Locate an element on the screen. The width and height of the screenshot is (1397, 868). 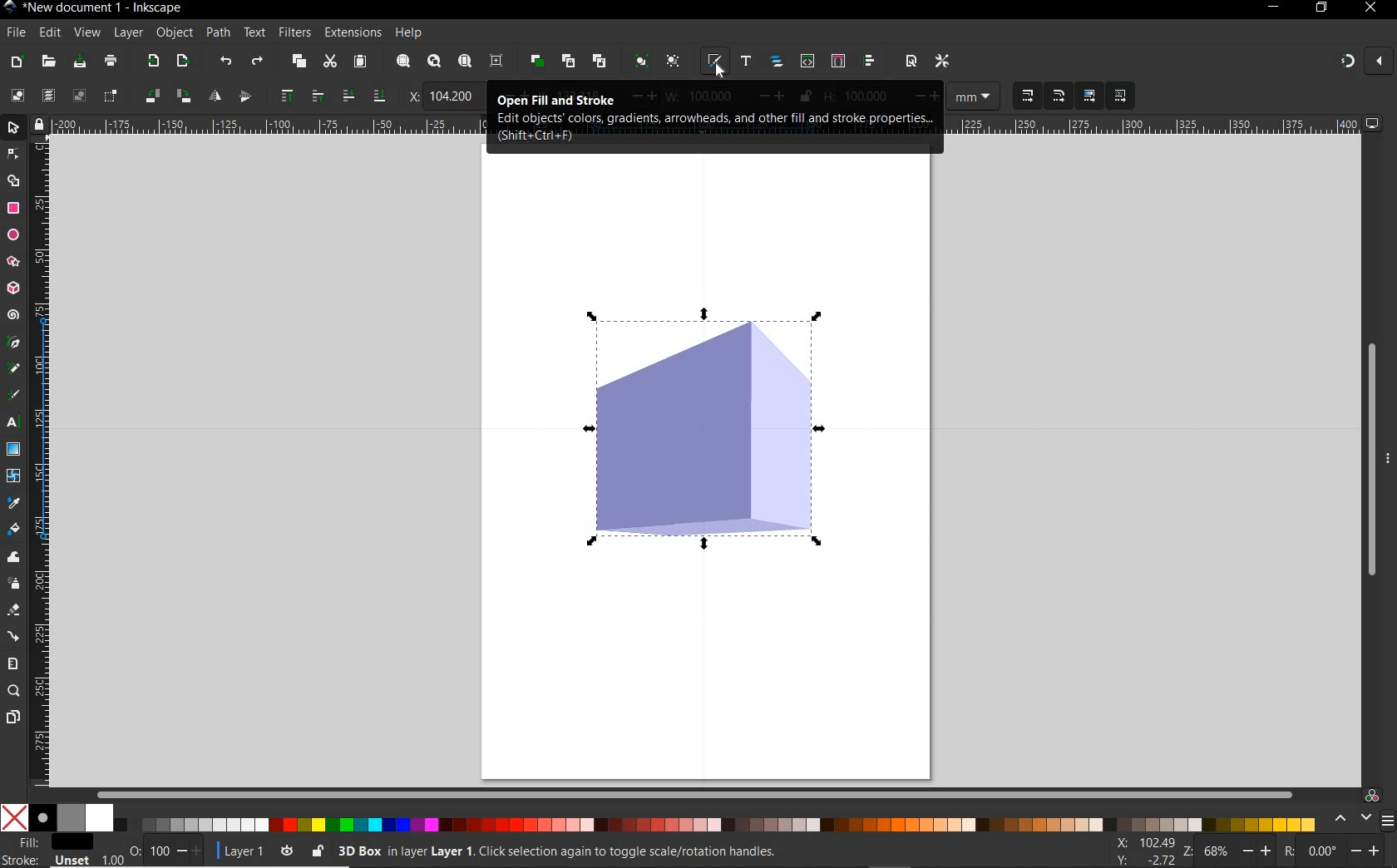
increase/decrease is located at coordinates (189, 851).